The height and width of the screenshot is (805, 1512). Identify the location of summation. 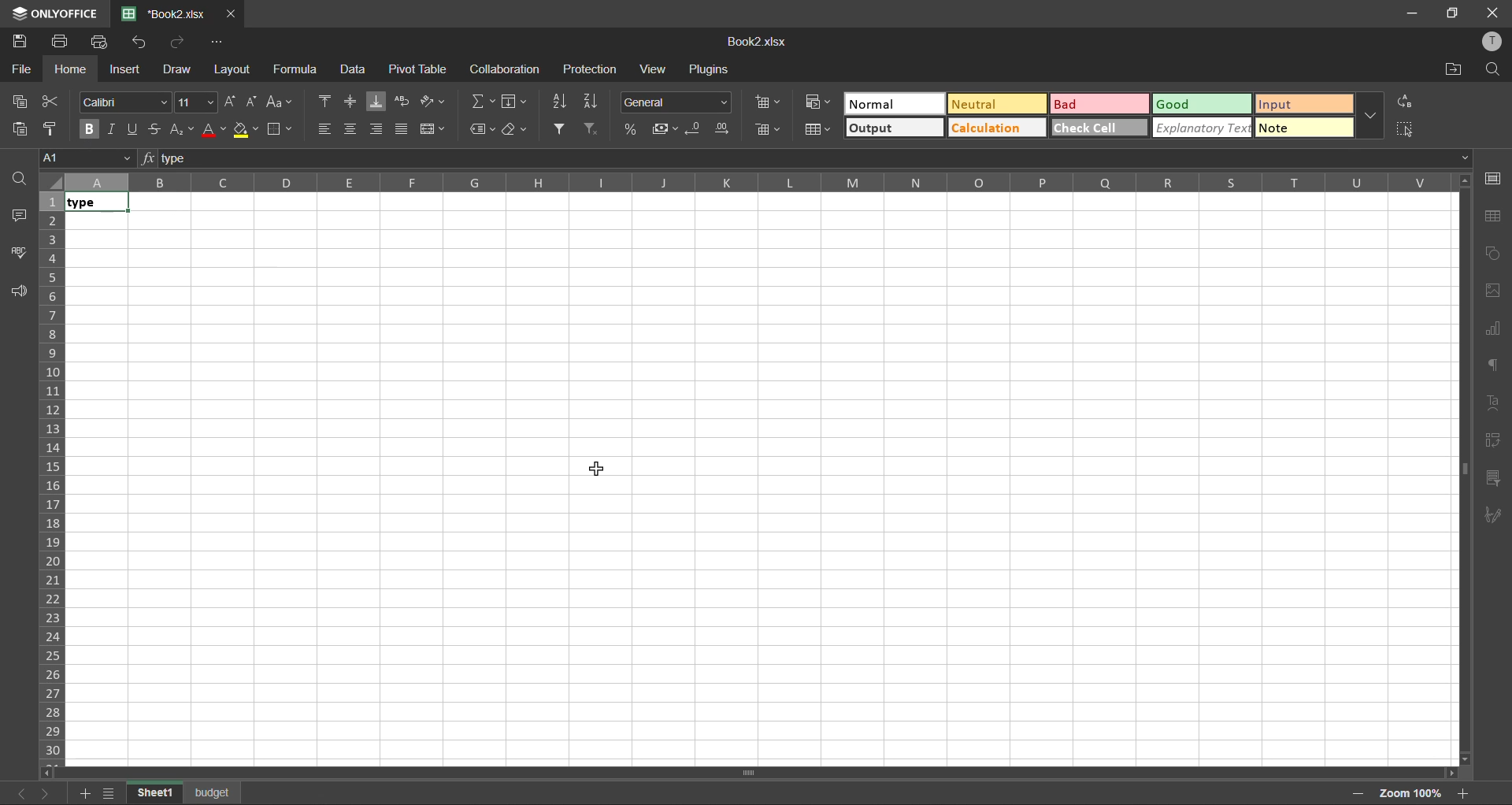
(485, 104).